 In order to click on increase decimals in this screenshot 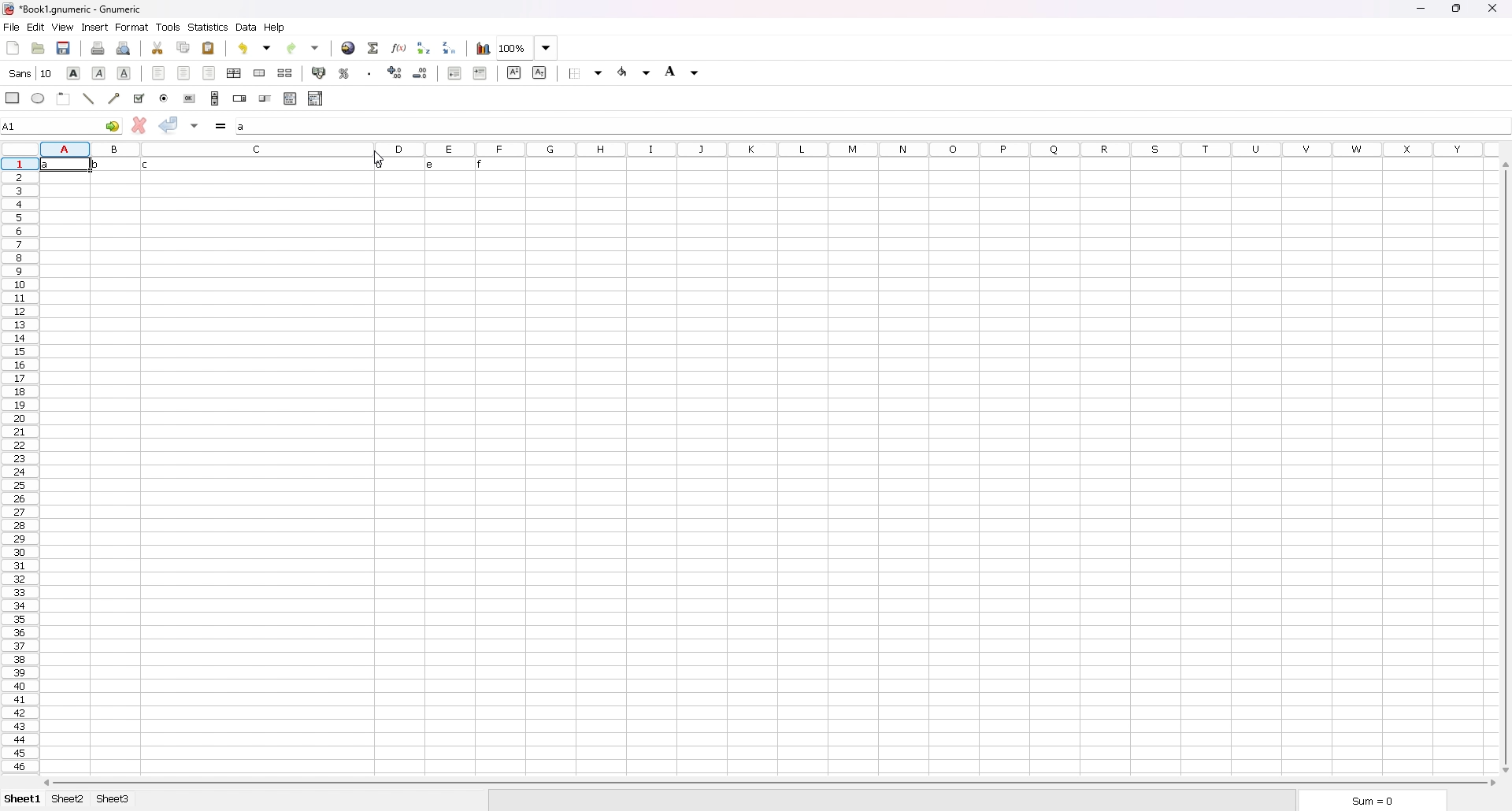, I will do `click(396, 72)`.